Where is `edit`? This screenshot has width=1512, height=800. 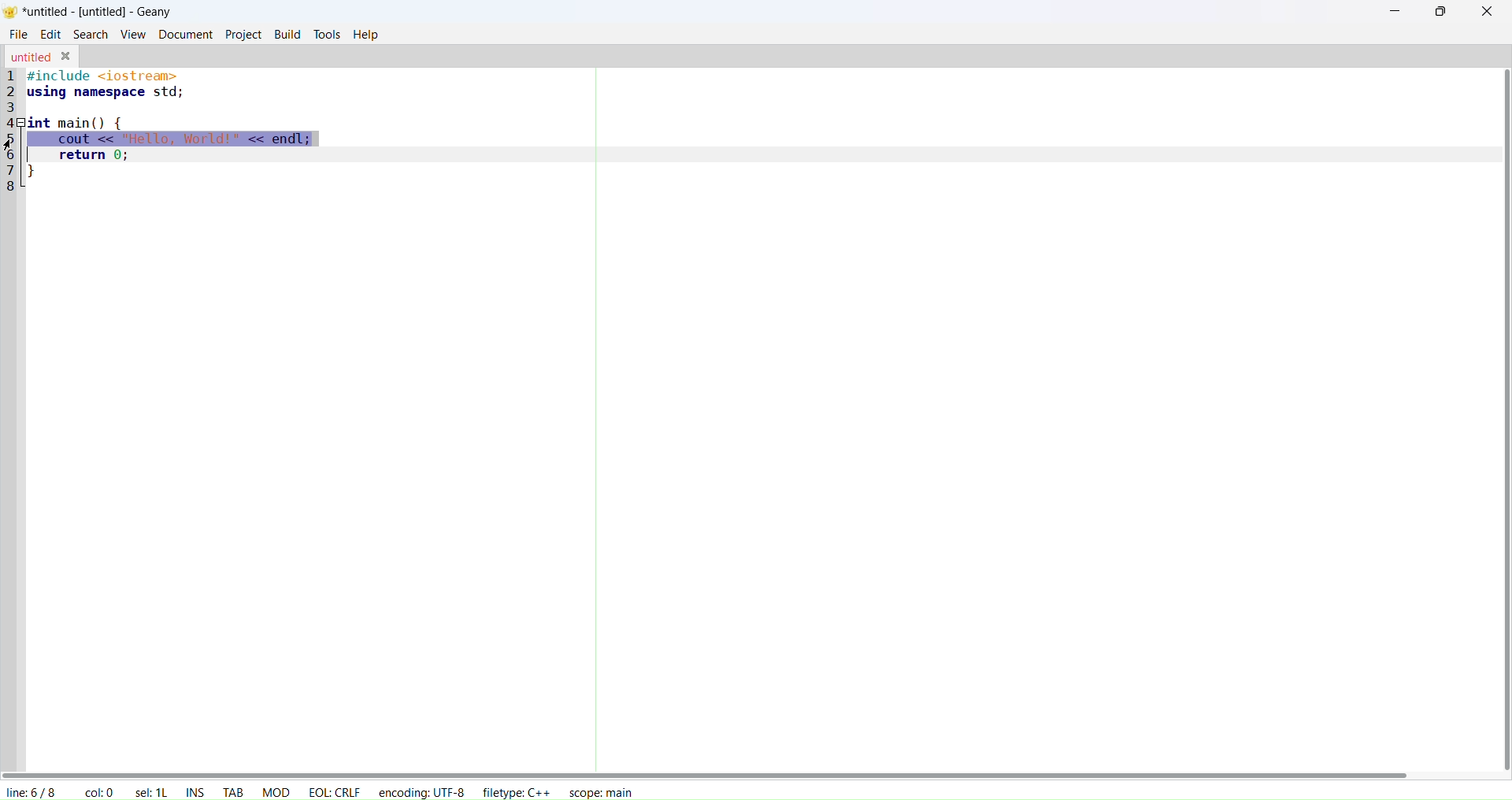
edit is located at coordinates (53, 33).